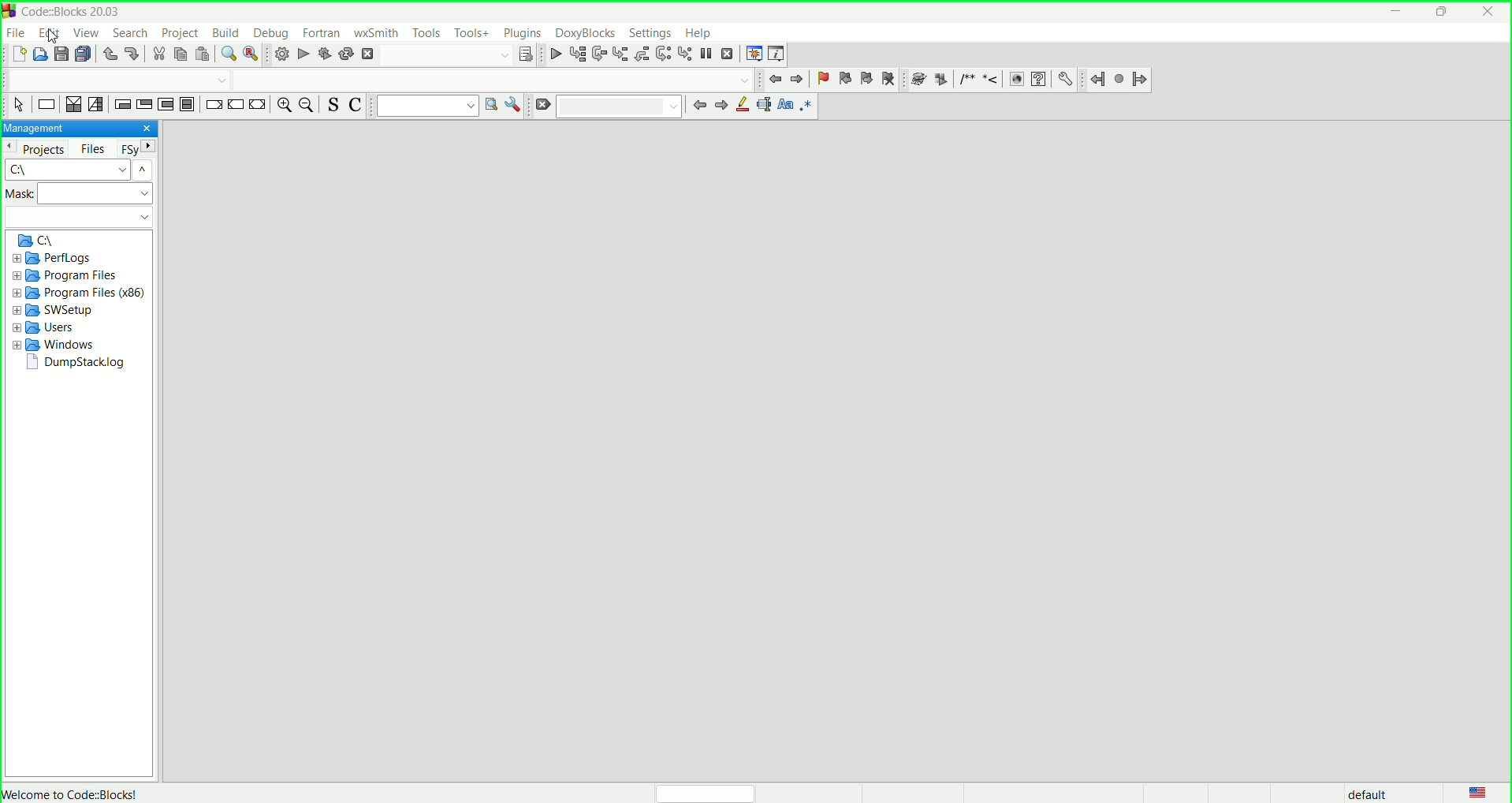 This screenshot has height=803, width=1512. What do you see at coordinates (821, 77) in the screenshot?
I see `toggle bookmark` at bounding box center [821, 77].